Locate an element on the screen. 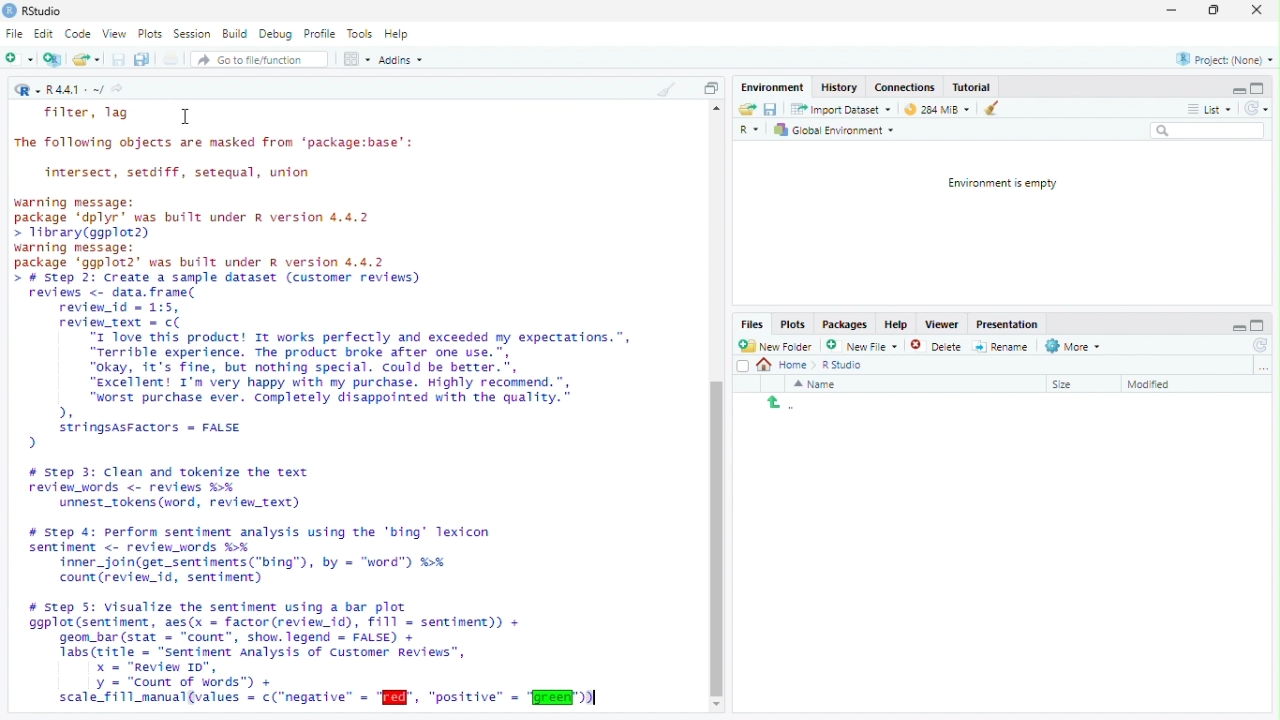 The height and width of the screenshot is (720, 1280). Search is located at coordinates (1208, 130).